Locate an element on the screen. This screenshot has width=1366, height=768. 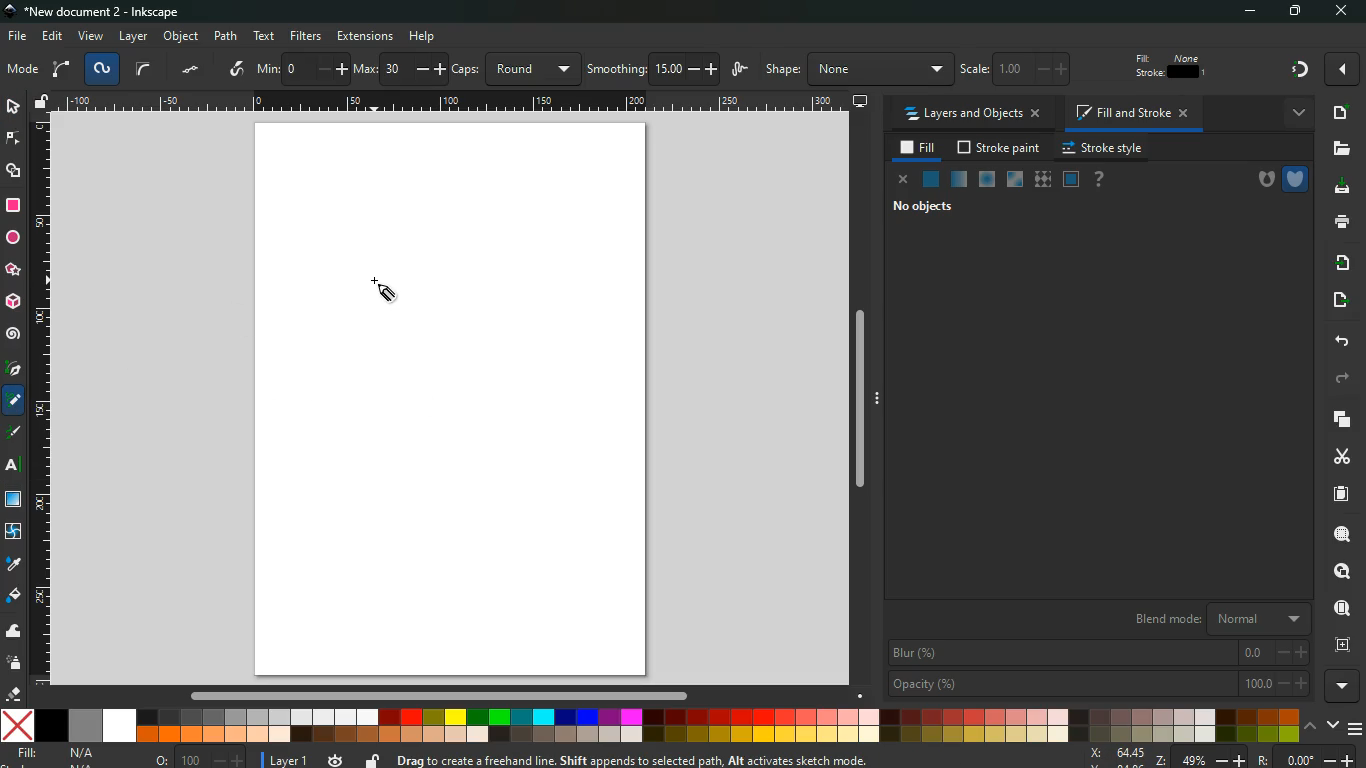
select is located at coordinates (16, 108).